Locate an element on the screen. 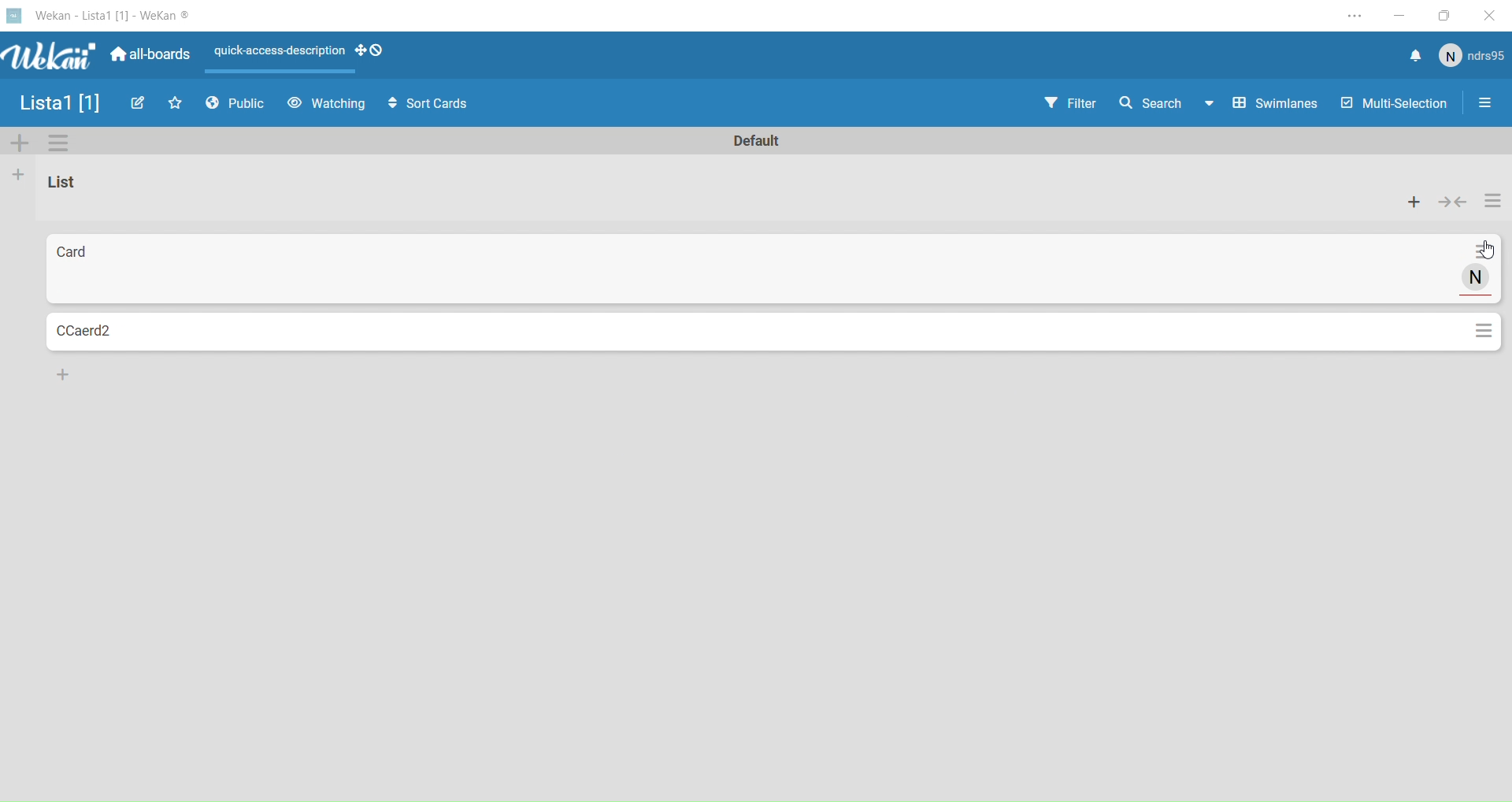 The width and height of the screenshot is (1512, 802). cursor is located at coordinates (1489, 251).